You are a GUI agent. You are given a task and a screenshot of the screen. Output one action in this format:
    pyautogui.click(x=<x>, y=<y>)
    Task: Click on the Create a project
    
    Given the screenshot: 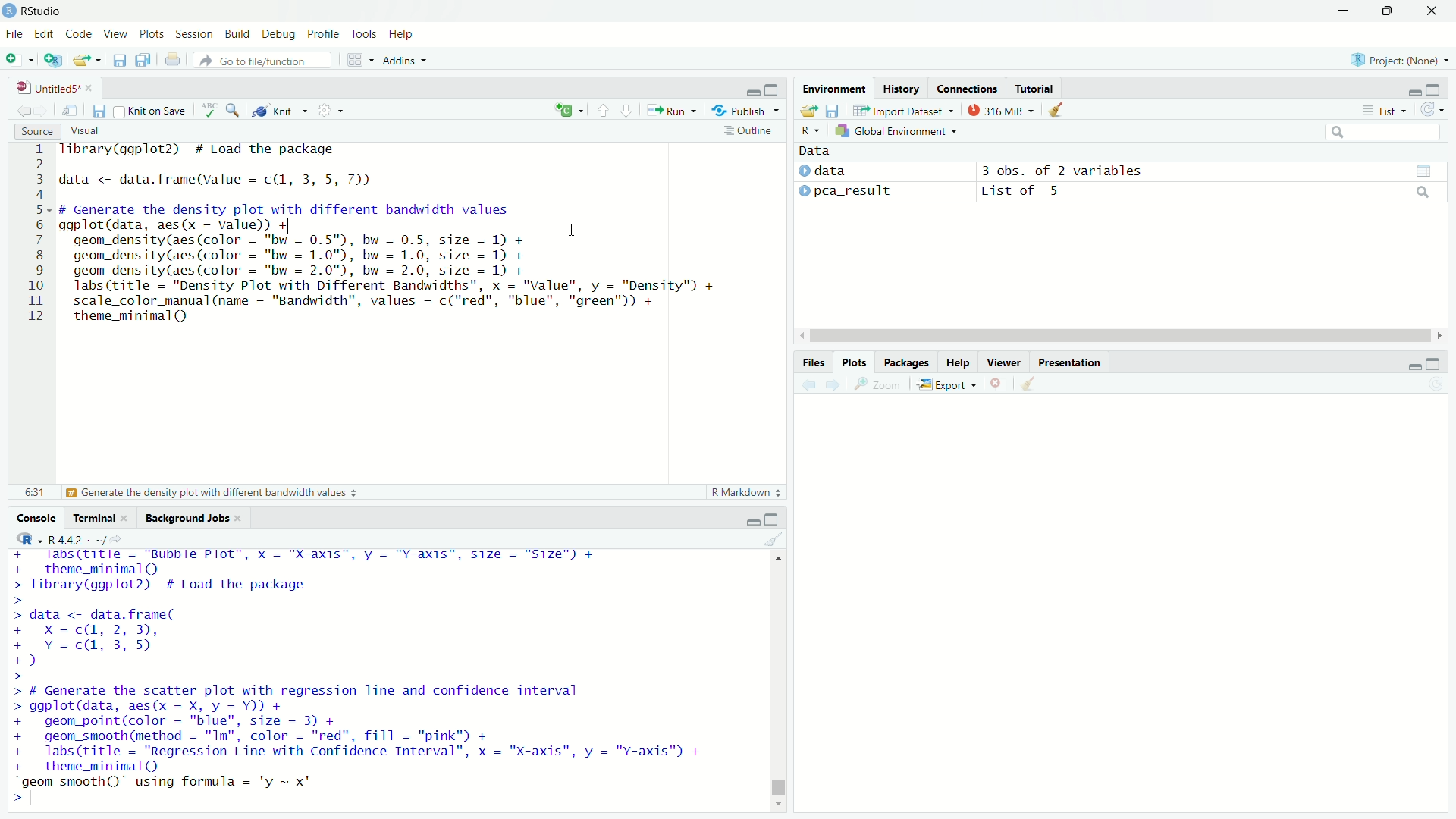 What is the action you would take?
    pyautogui.click(x=54, y=59)
    